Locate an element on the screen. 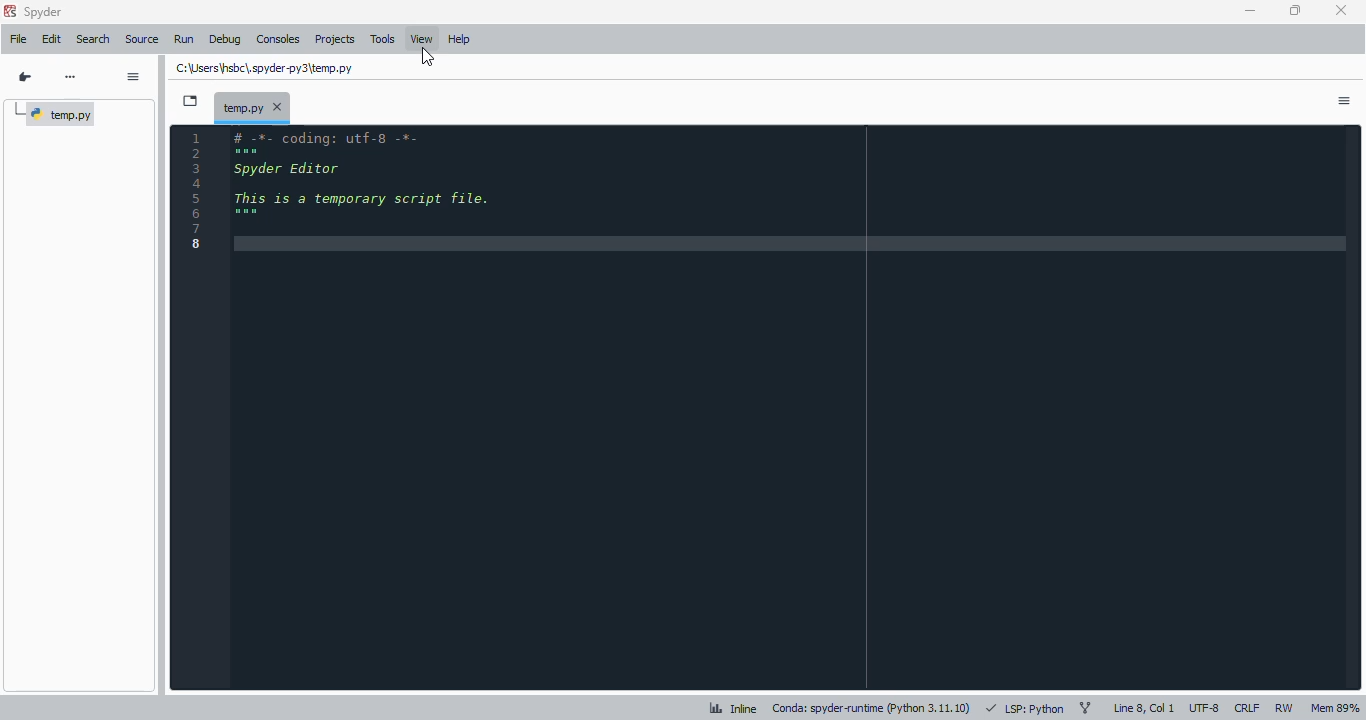  outline explorer panel is located at coordinates (79, 415).